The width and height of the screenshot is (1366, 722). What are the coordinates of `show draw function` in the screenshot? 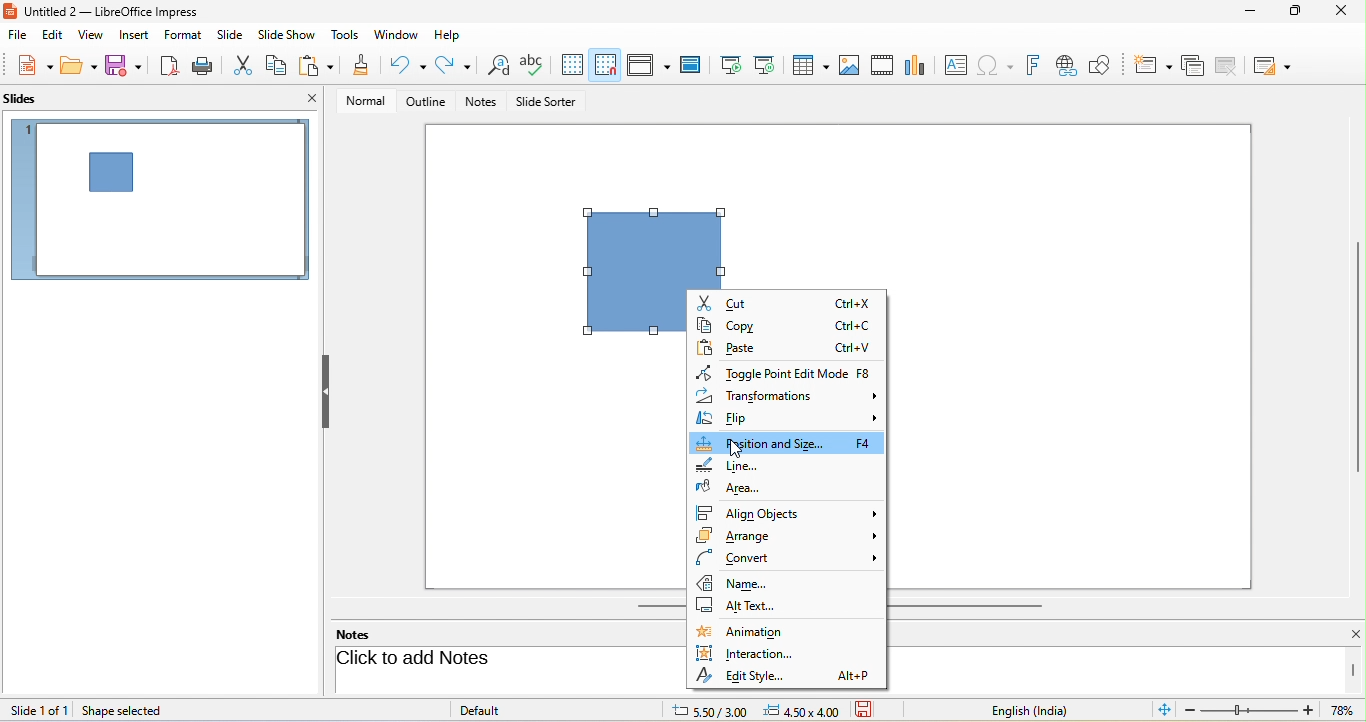 It's located at (1109, 63).